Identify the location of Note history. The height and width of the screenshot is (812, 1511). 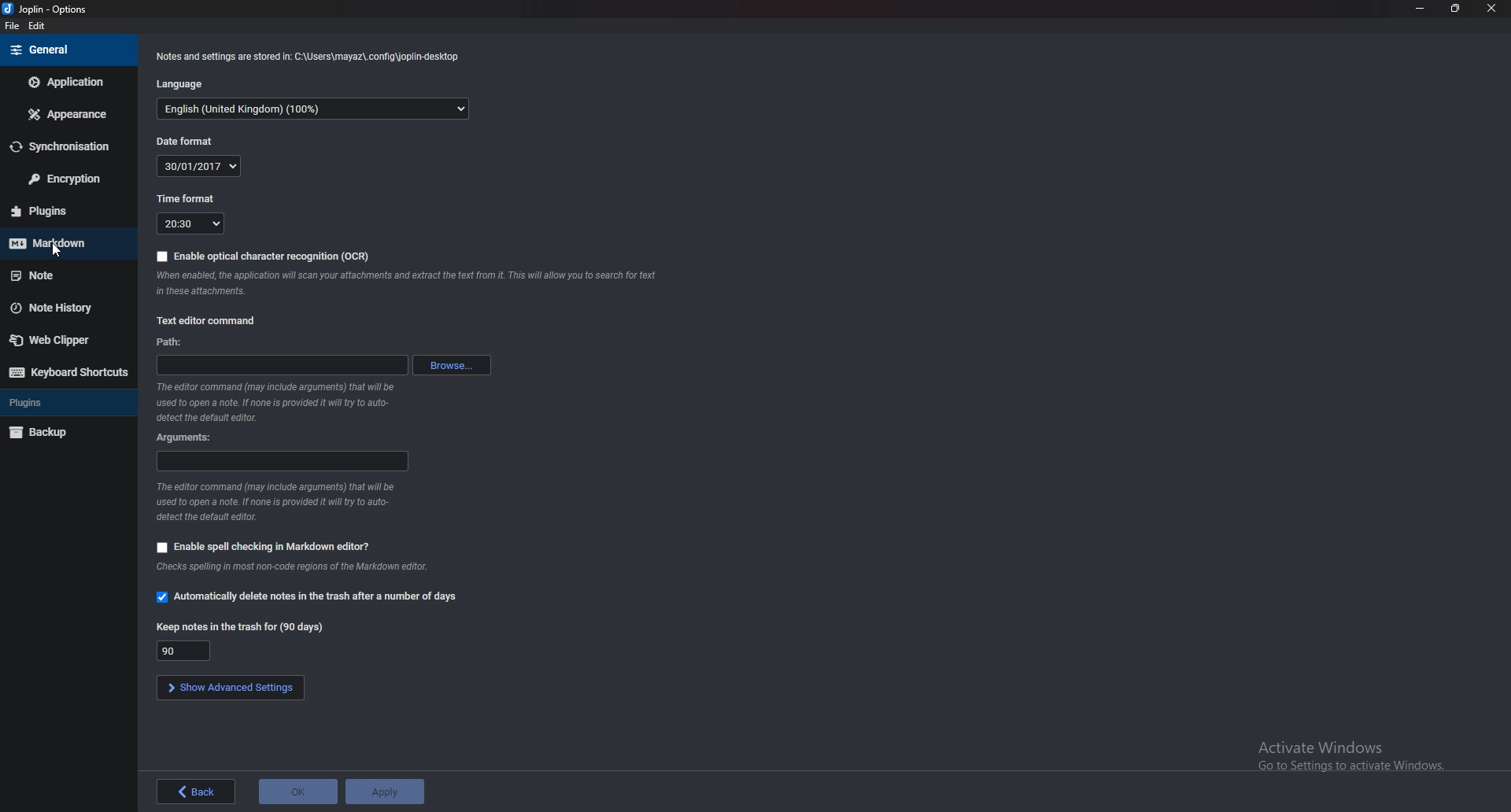
(63, 308).